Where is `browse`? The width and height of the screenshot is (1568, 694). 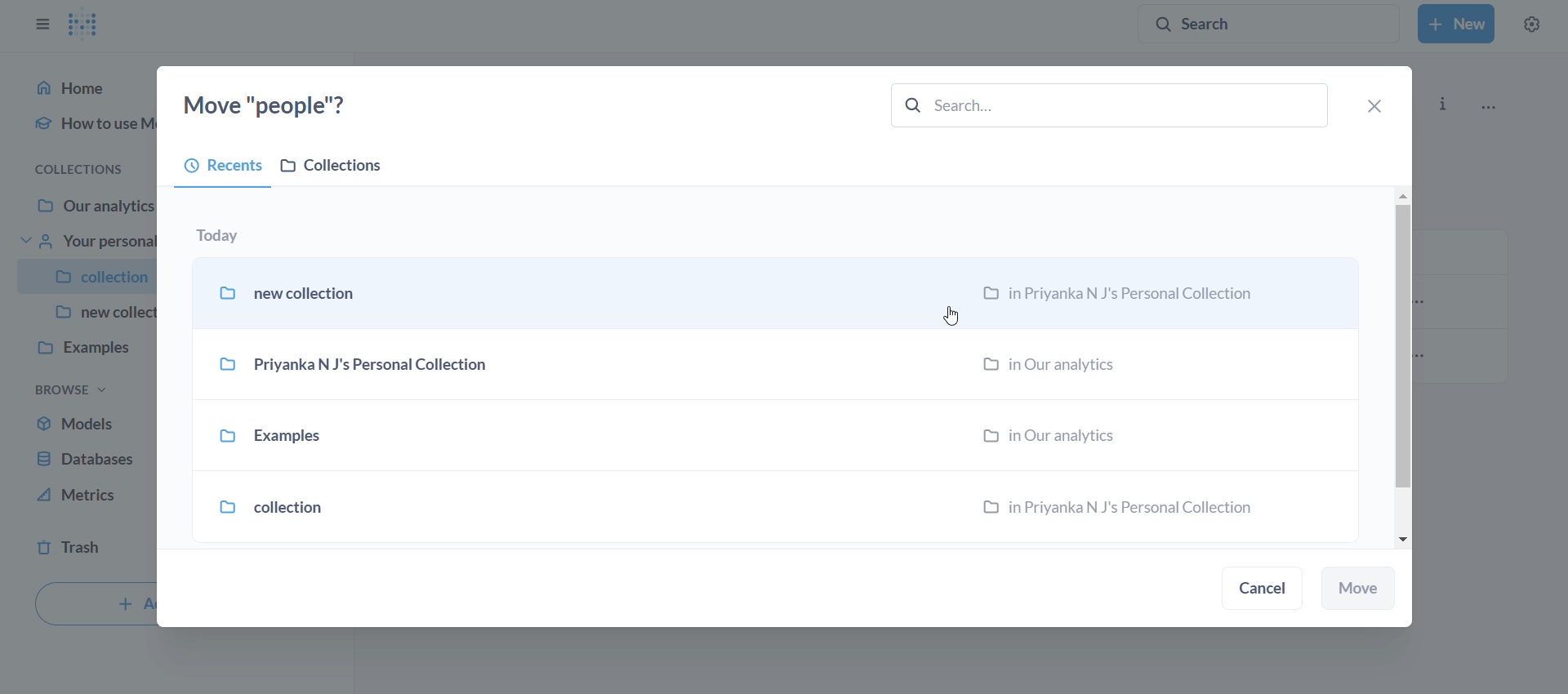 browse is located at coordinates (71, 389).